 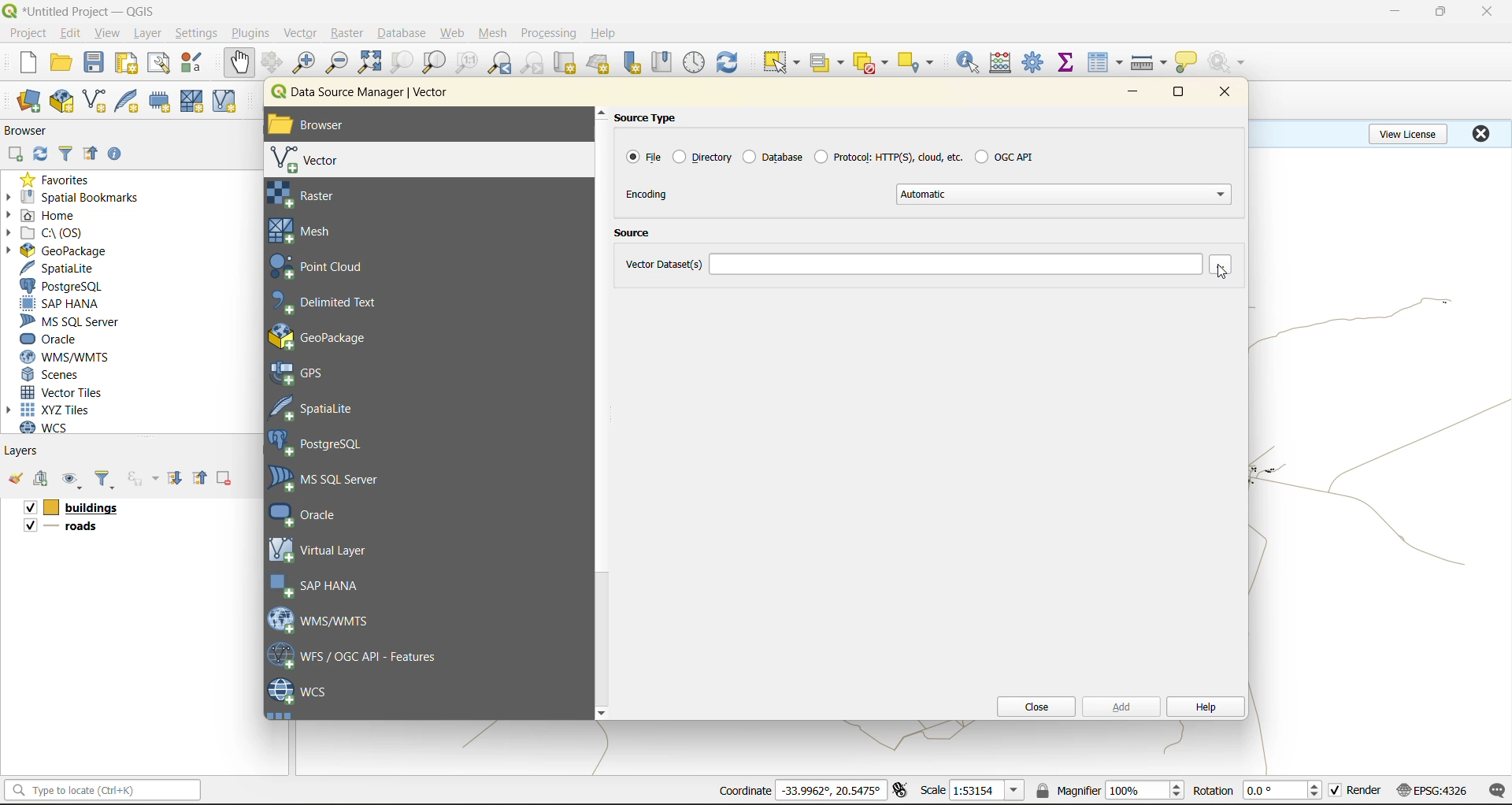 What do you see at coordinates (47, 217) in the screenshot?
I see `home` at bounding box center [47, 217].